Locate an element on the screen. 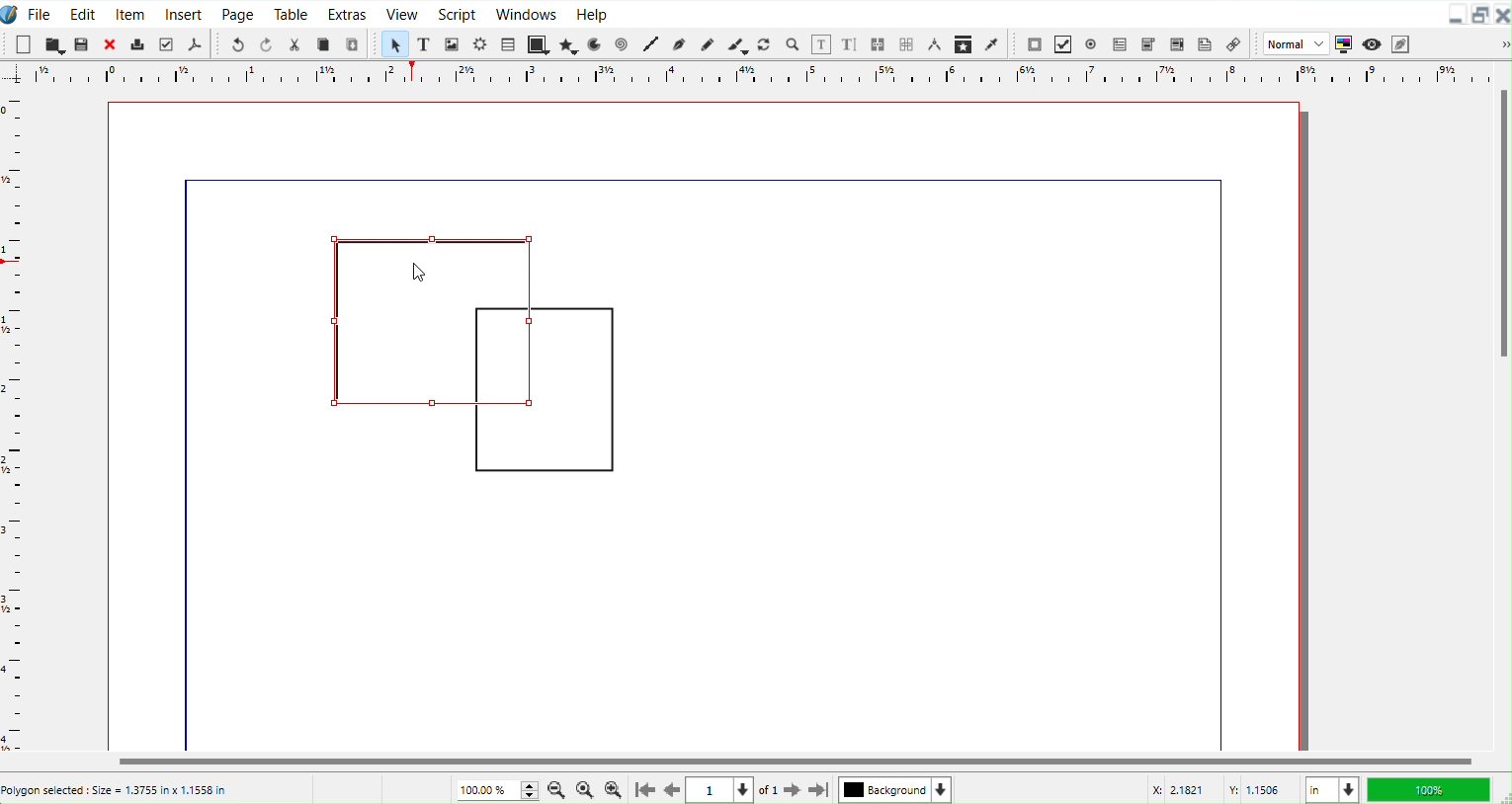 This screenshot has height=804, width=1512. Table is located at coordinates (508, 43).